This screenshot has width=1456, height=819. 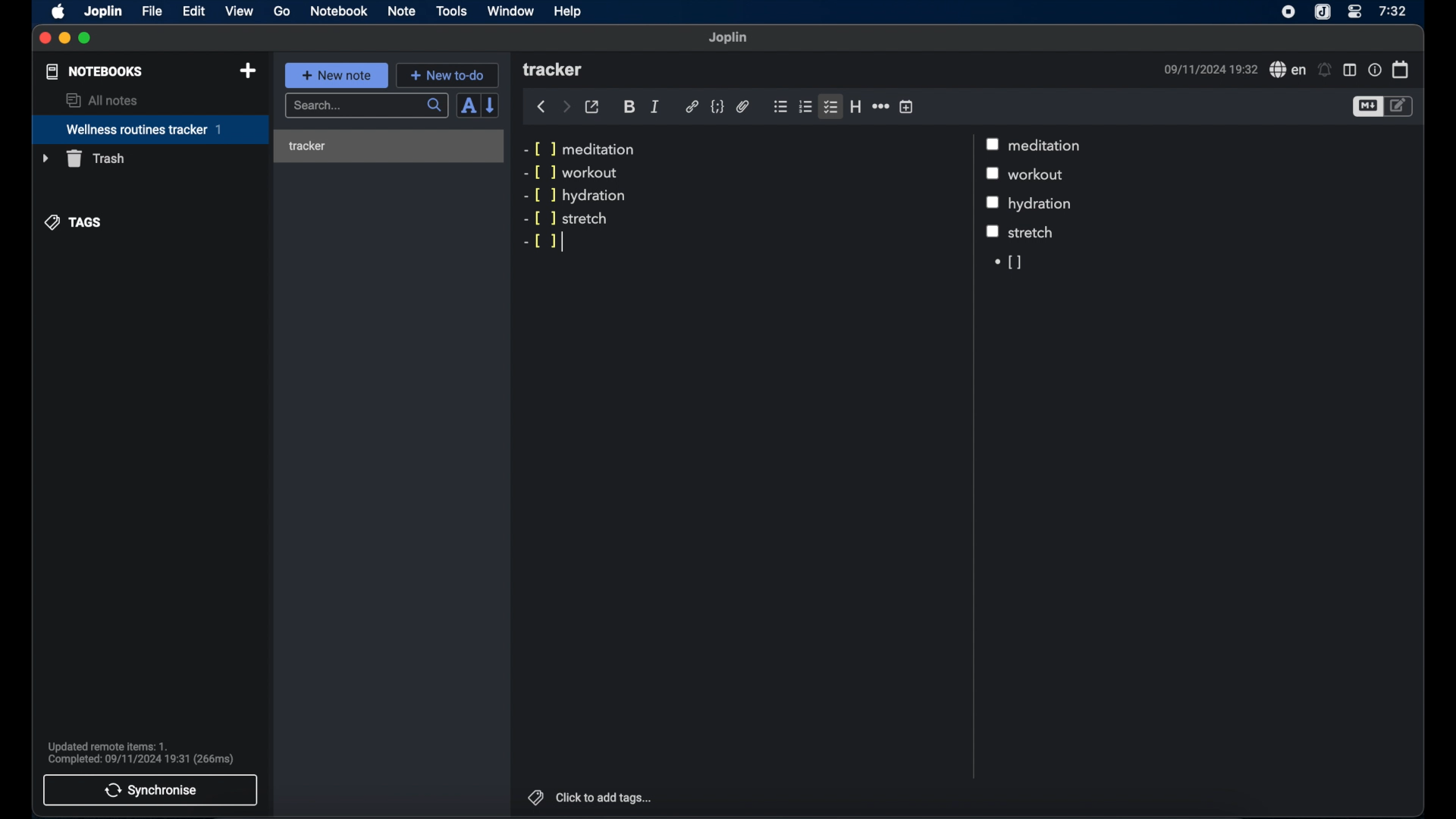 What do you see at coordinates (149, 130) in the screenshot?
I see `wellness routines tracker 1` at bounding box center [149, 130].